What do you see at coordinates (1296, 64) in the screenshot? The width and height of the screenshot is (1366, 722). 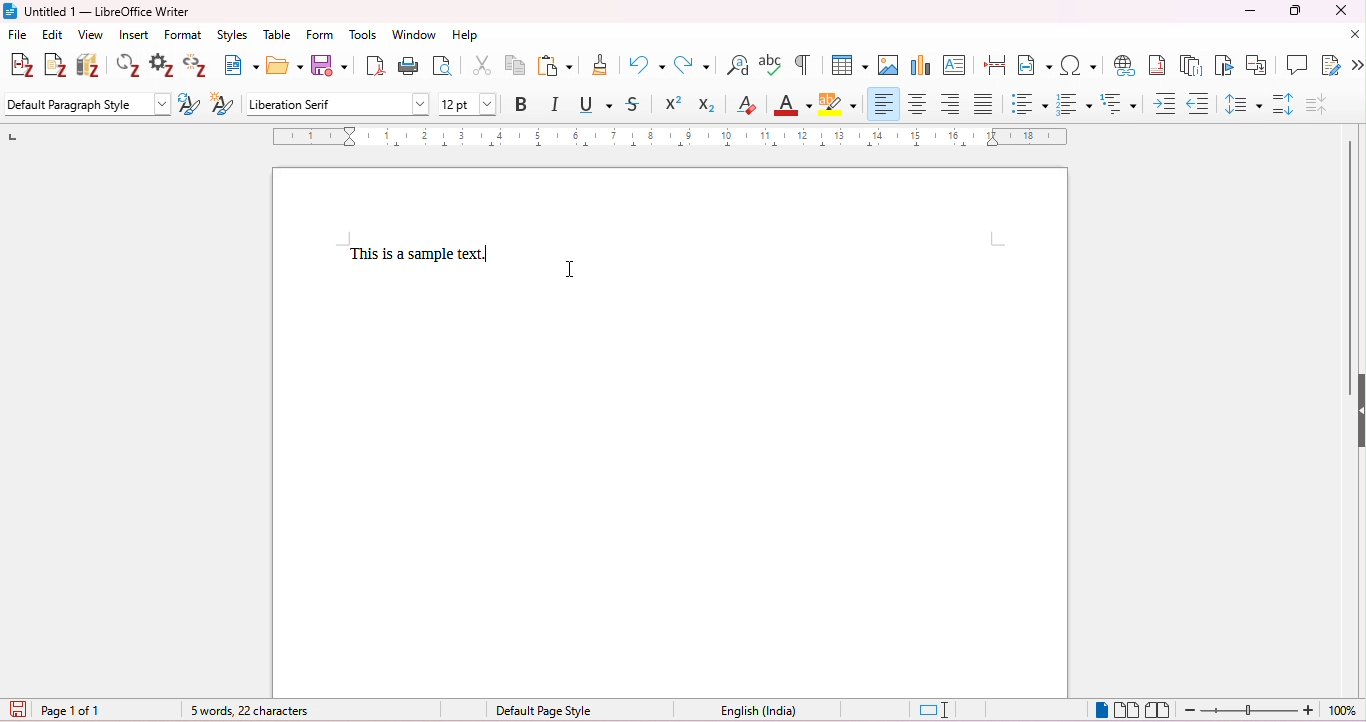 I see `insert comment` at bounding box center [1296, 64].